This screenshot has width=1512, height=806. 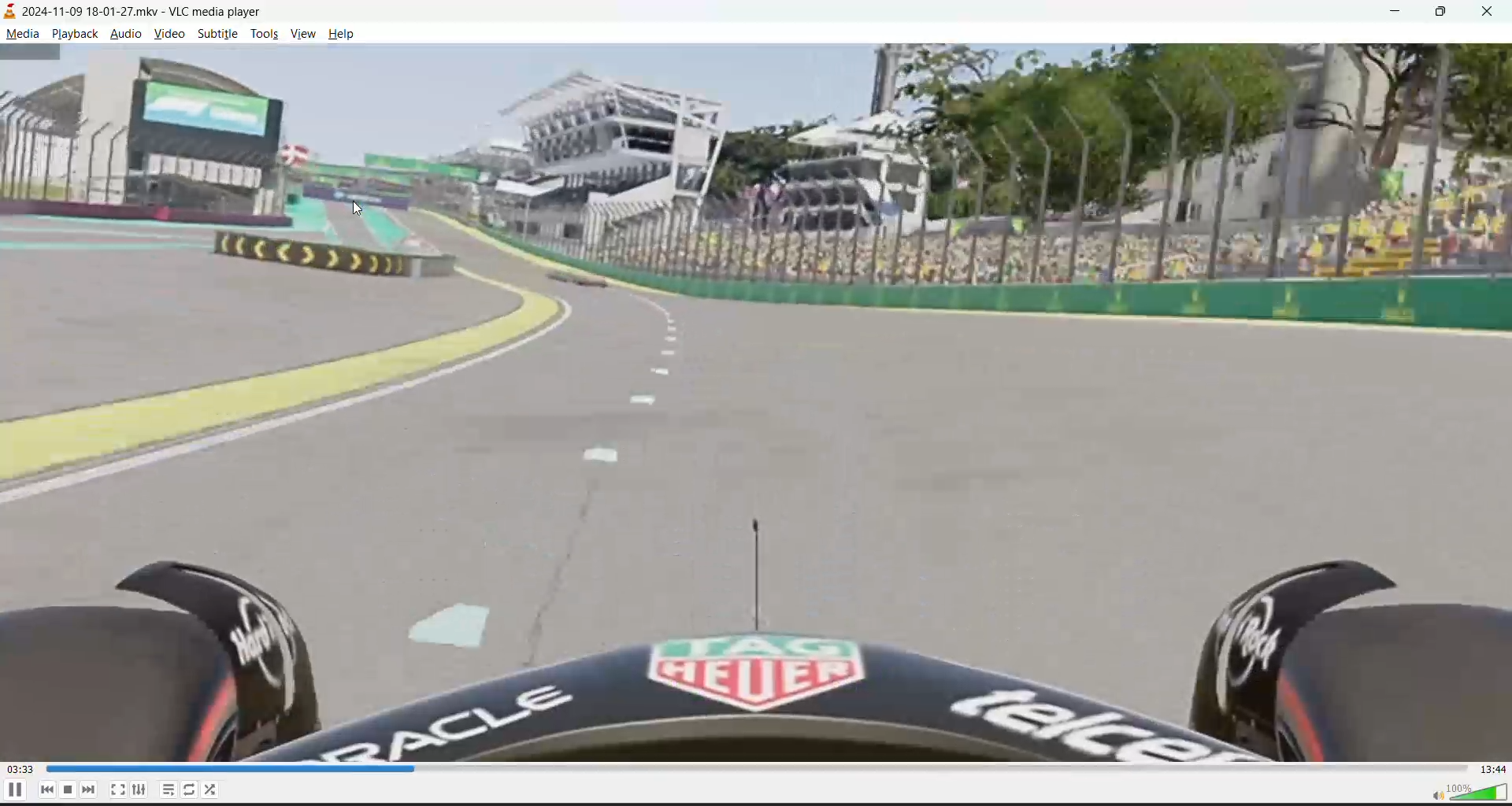 I want to click on icon, so click(x=13, y=12).